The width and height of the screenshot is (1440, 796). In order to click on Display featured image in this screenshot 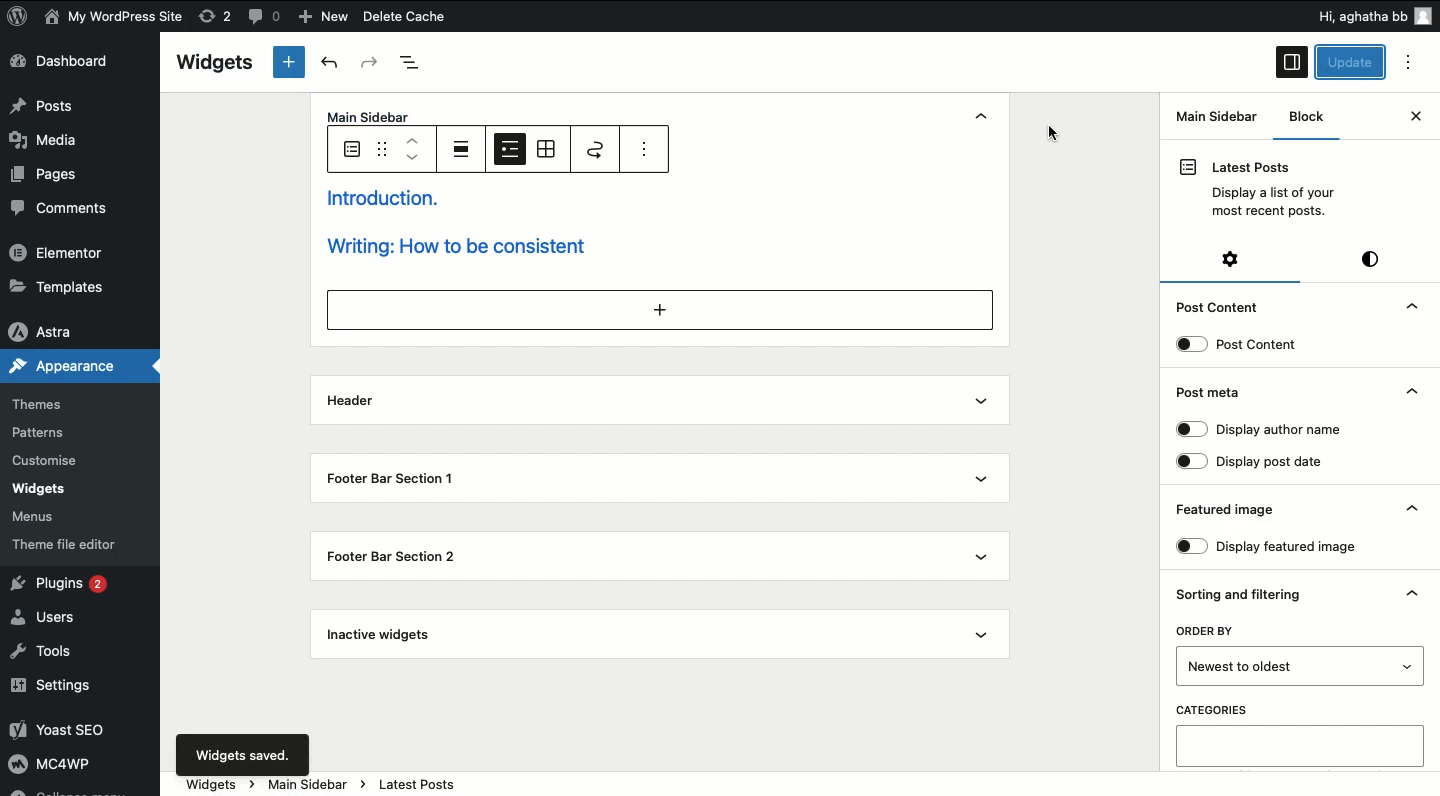, I will do `click(1269, 546)`.